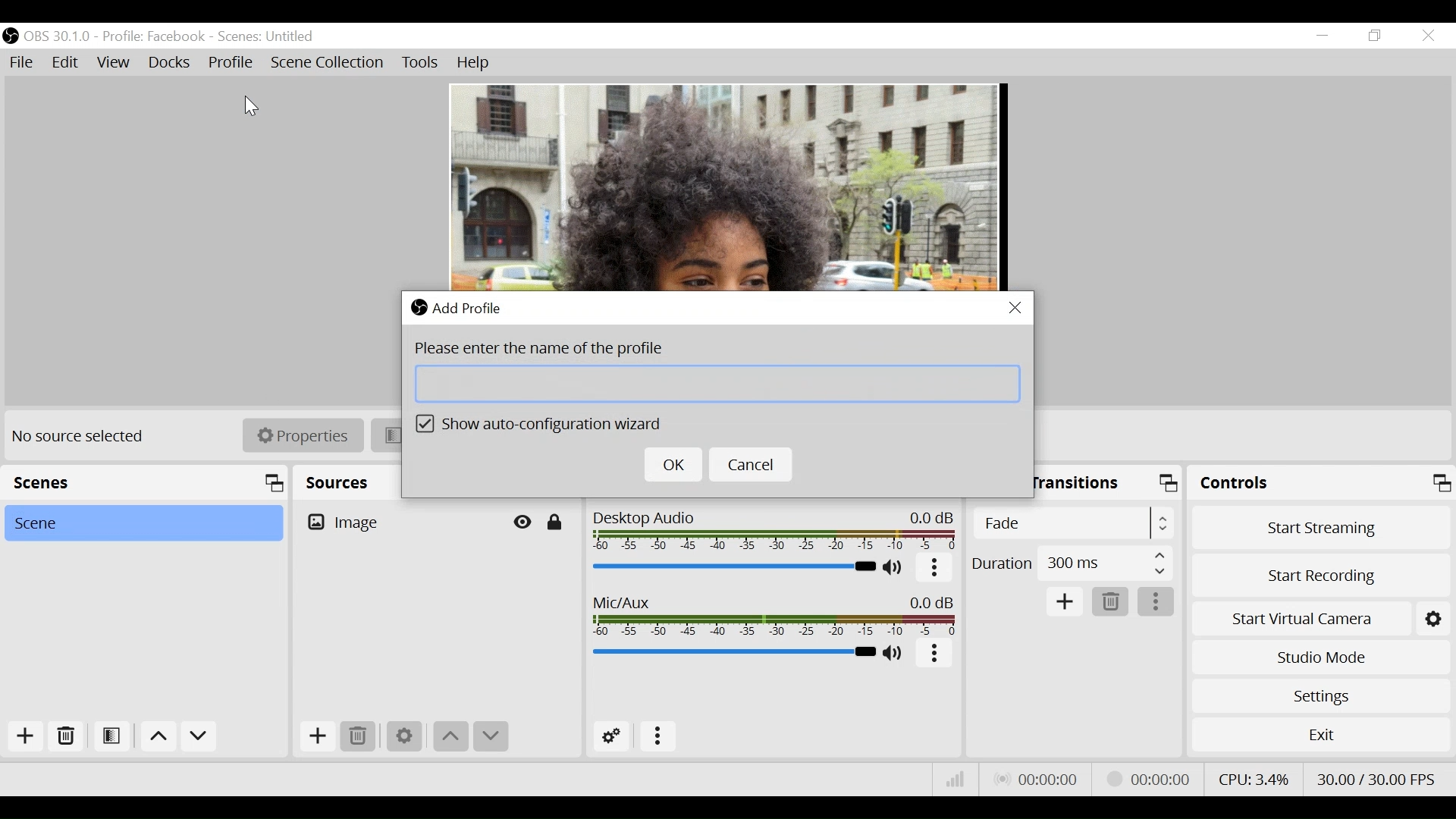 The width and height of the screenshot is (1456, 819). I want to click on OBS Version, so click(58, 36).